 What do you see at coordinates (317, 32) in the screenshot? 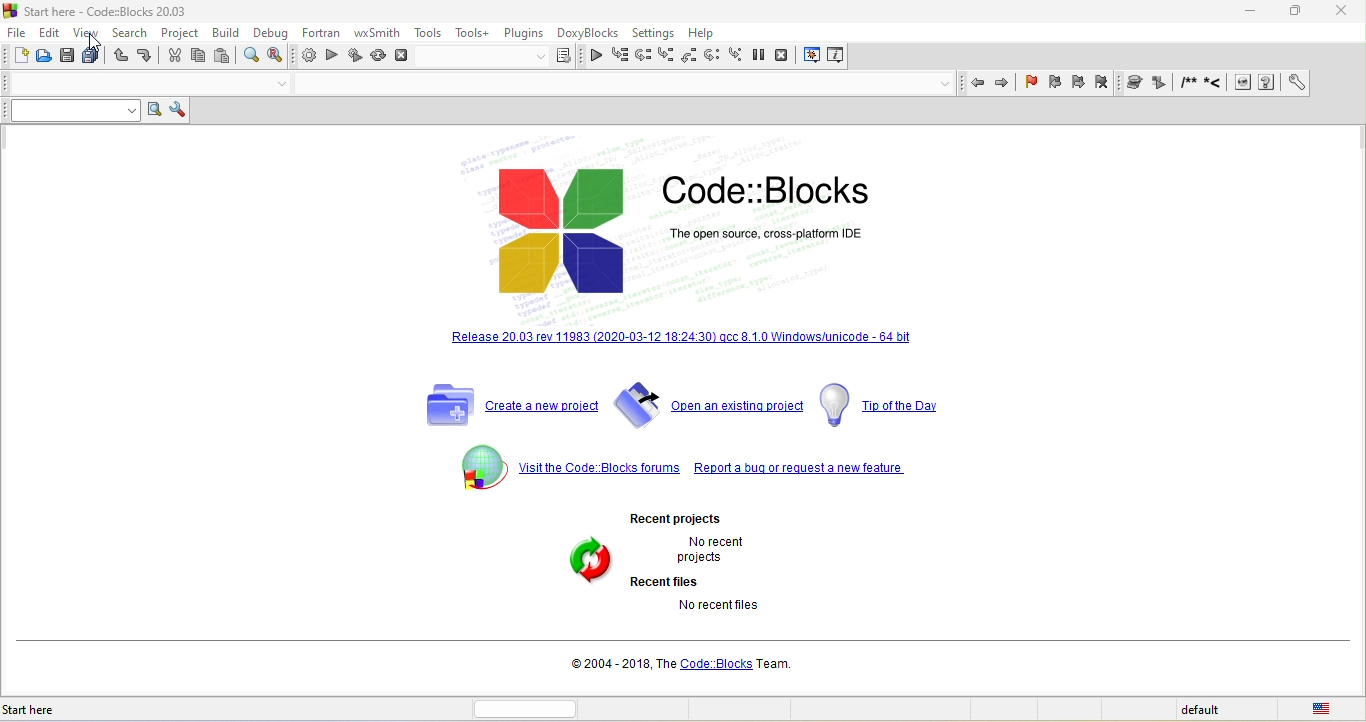
I see `fortran` at bounding box center [317, 32].